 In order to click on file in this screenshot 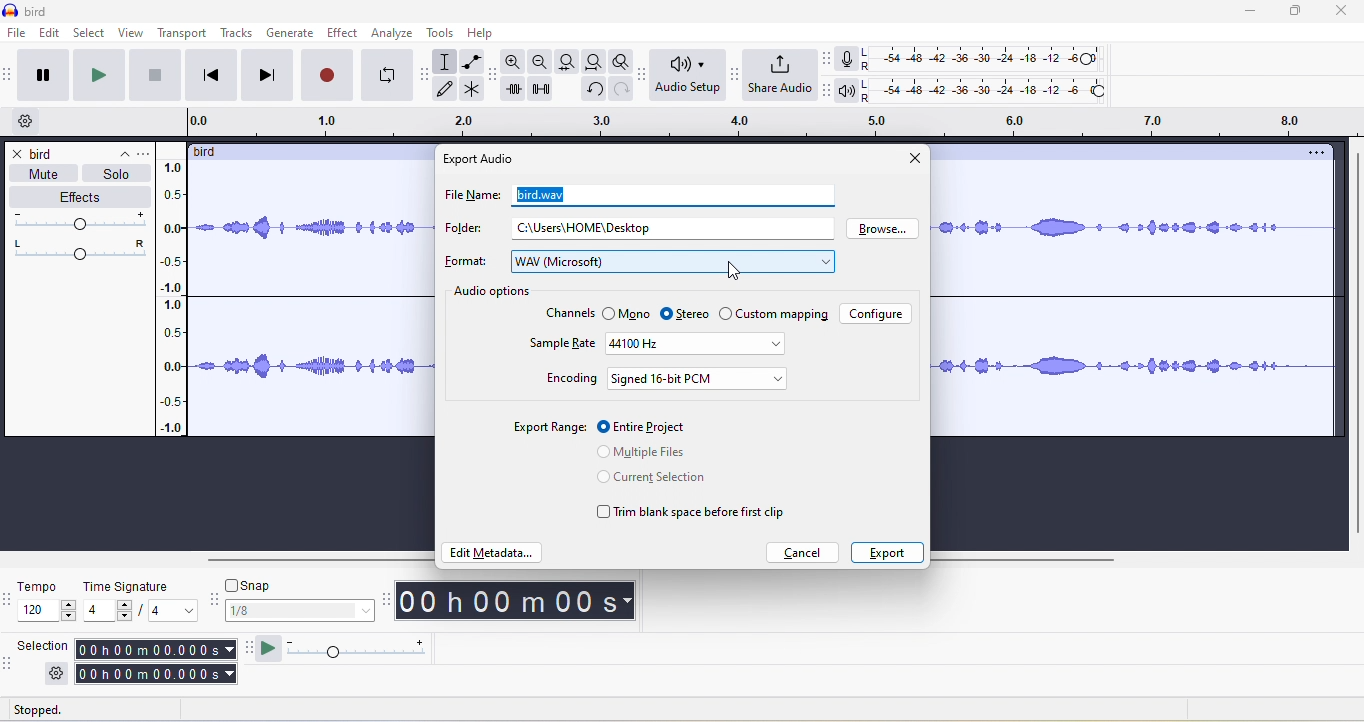, I will do `click(15, 33)`.